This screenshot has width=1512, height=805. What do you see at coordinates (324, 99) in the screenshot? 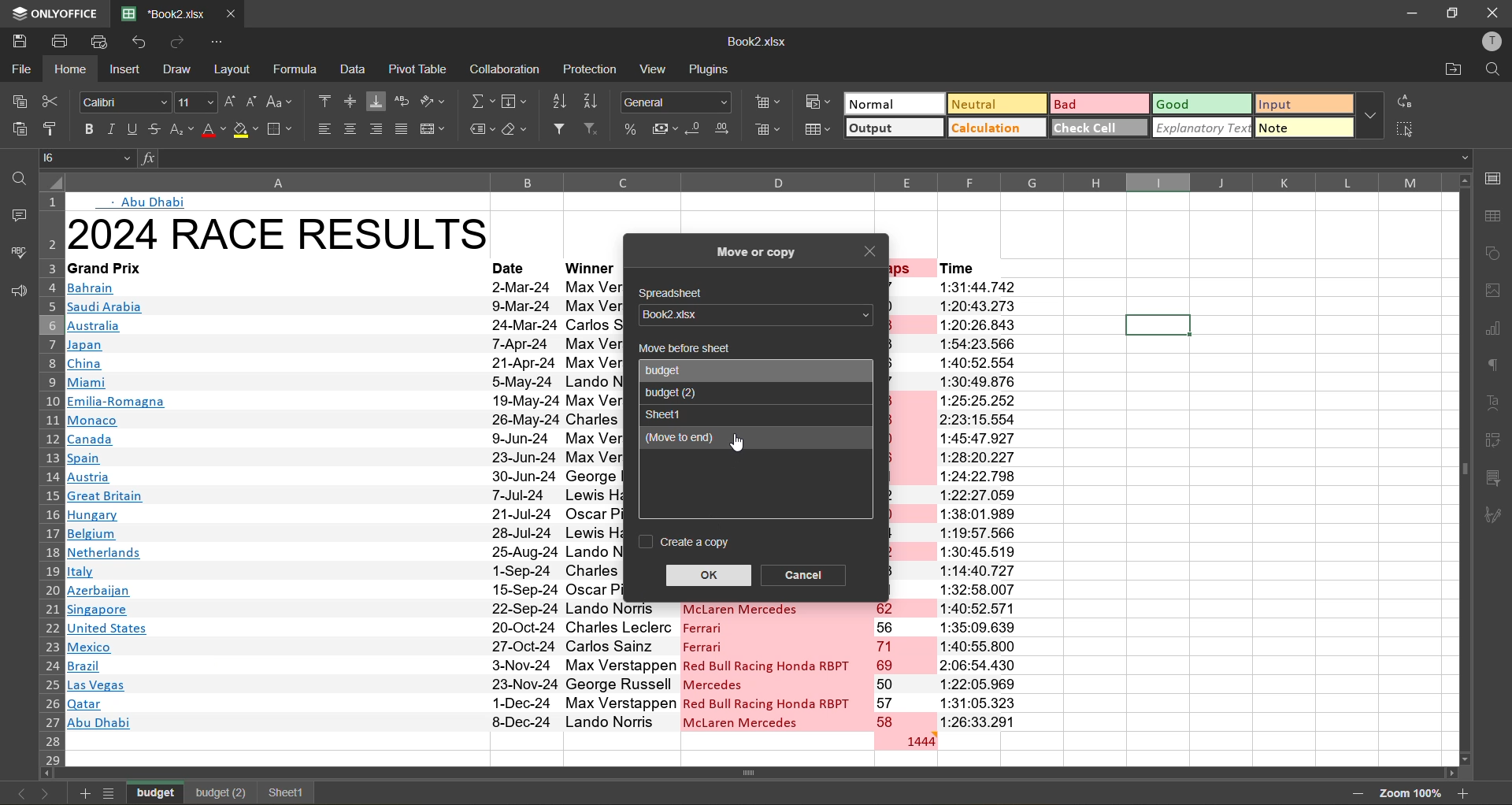
I see `align top` at bounding box center [324, 99].